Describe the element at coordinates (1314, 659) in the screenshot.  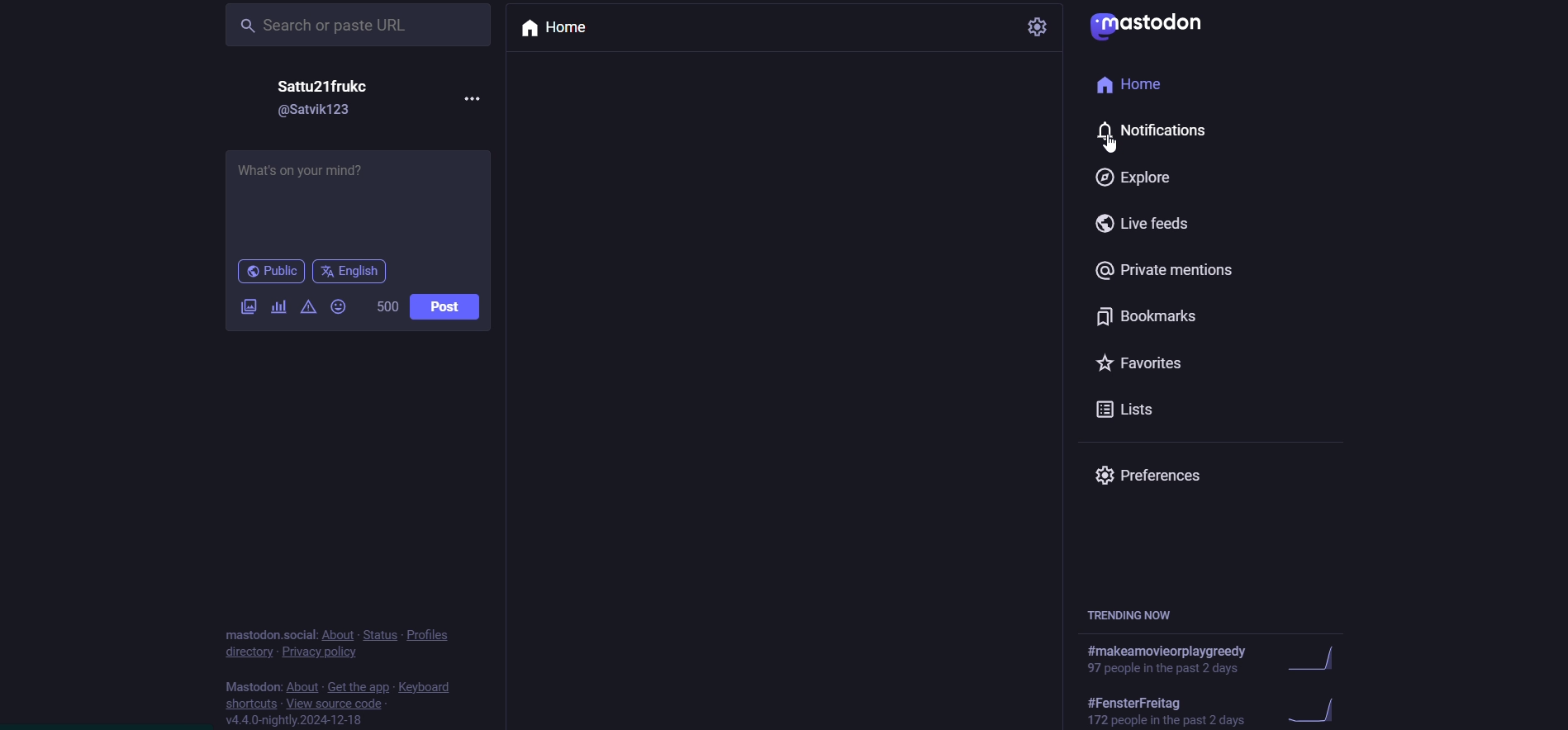
I see `trending graph` at that location.